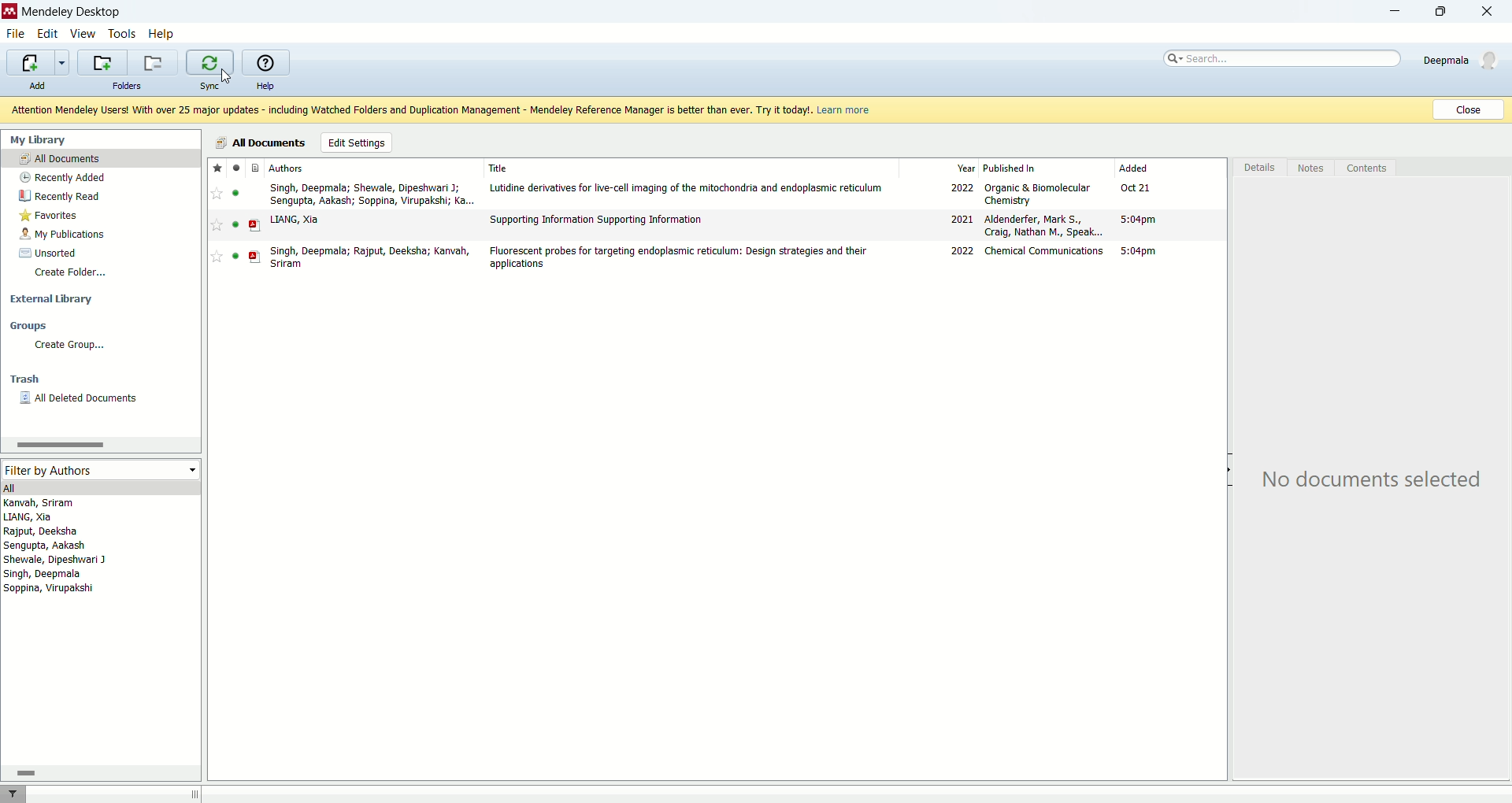  Describe the element at coordinates (235, 194) in the screenshot. I see `read/unread` at that location.